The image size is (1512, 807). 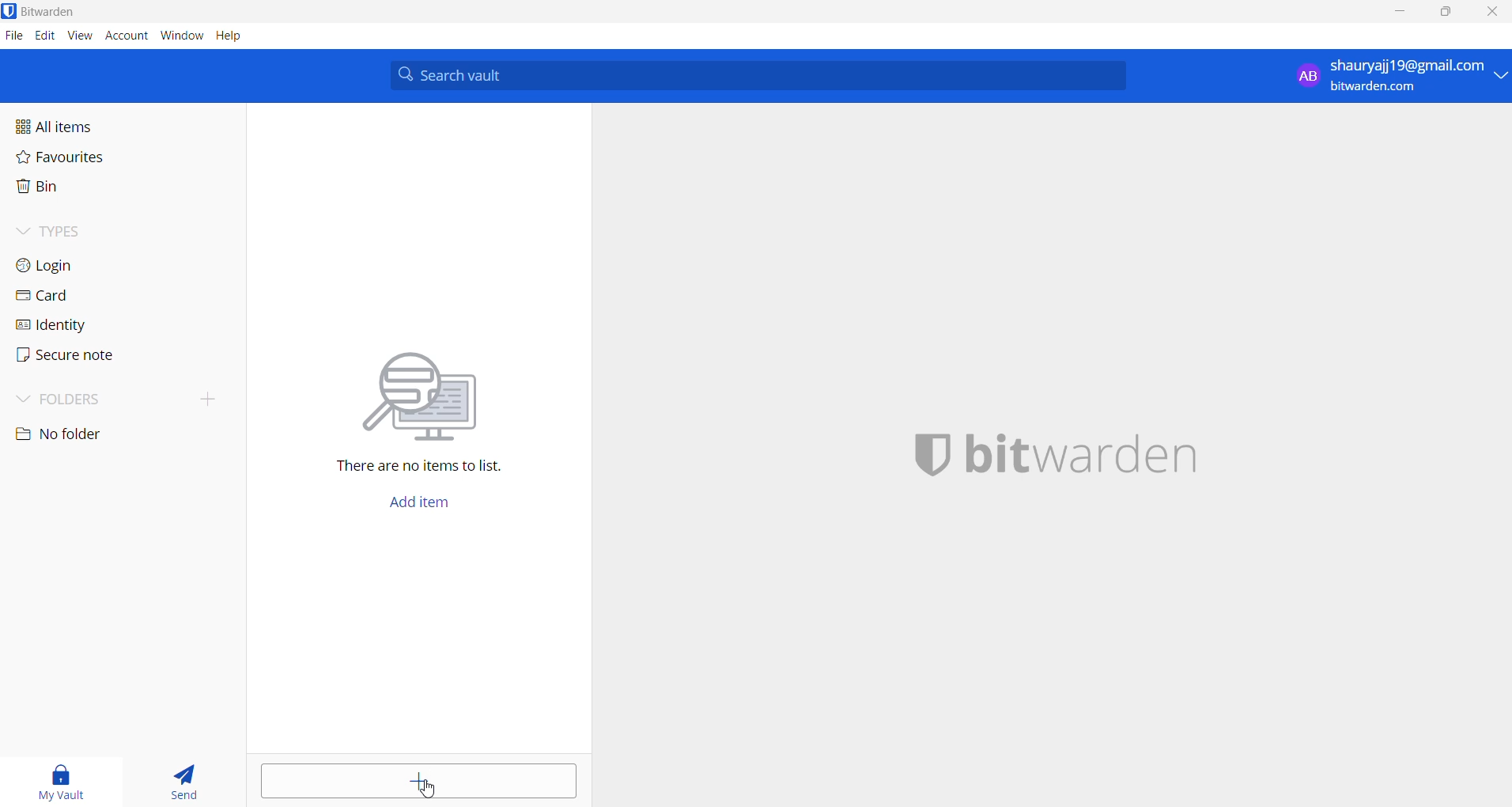 What do you see at coordinates (95, 401) in the screenshot?
I see `folders` at bounding box center [95, 401].